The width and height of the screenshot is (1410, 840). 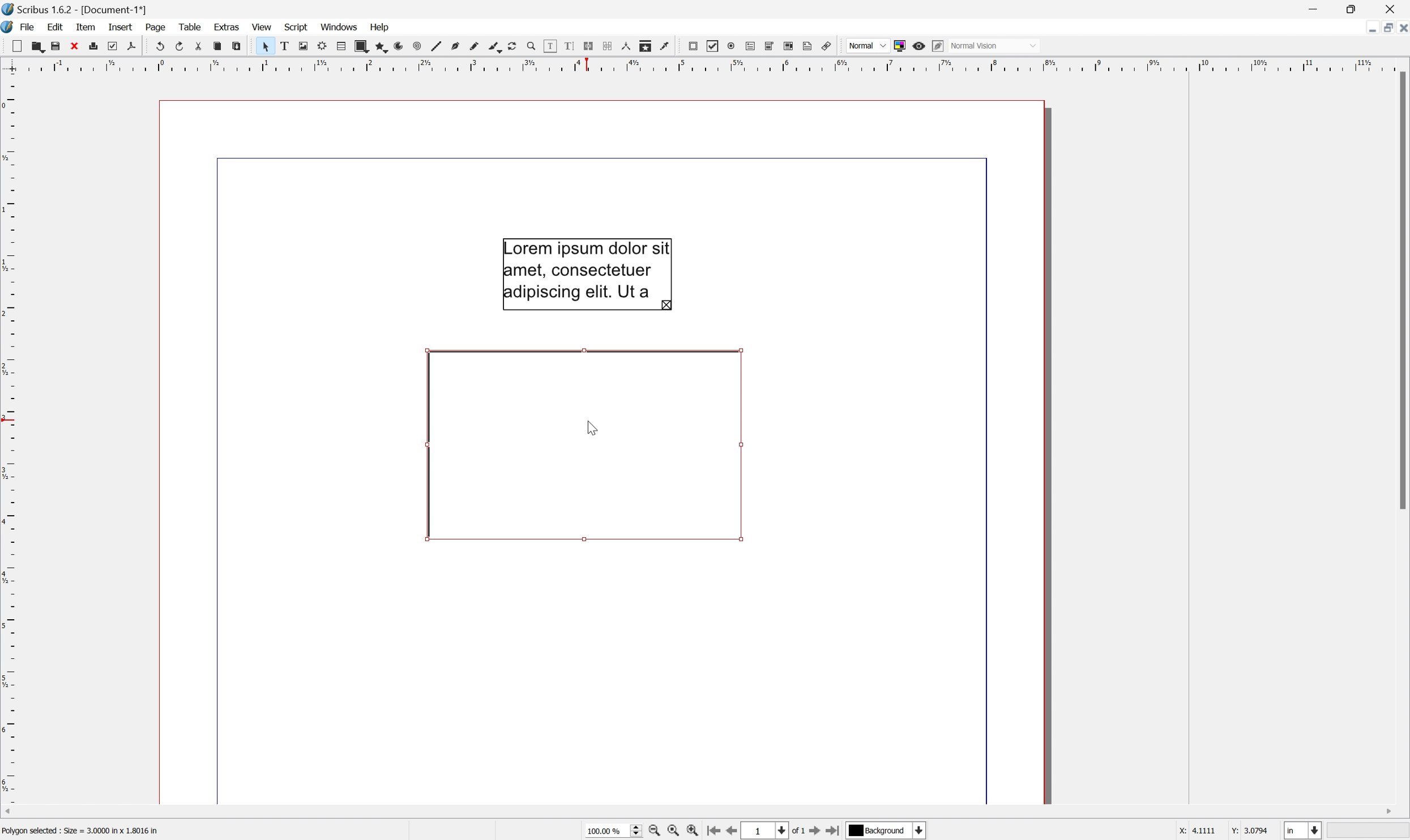 I want to click on Select item, so click(x=262, y=46).